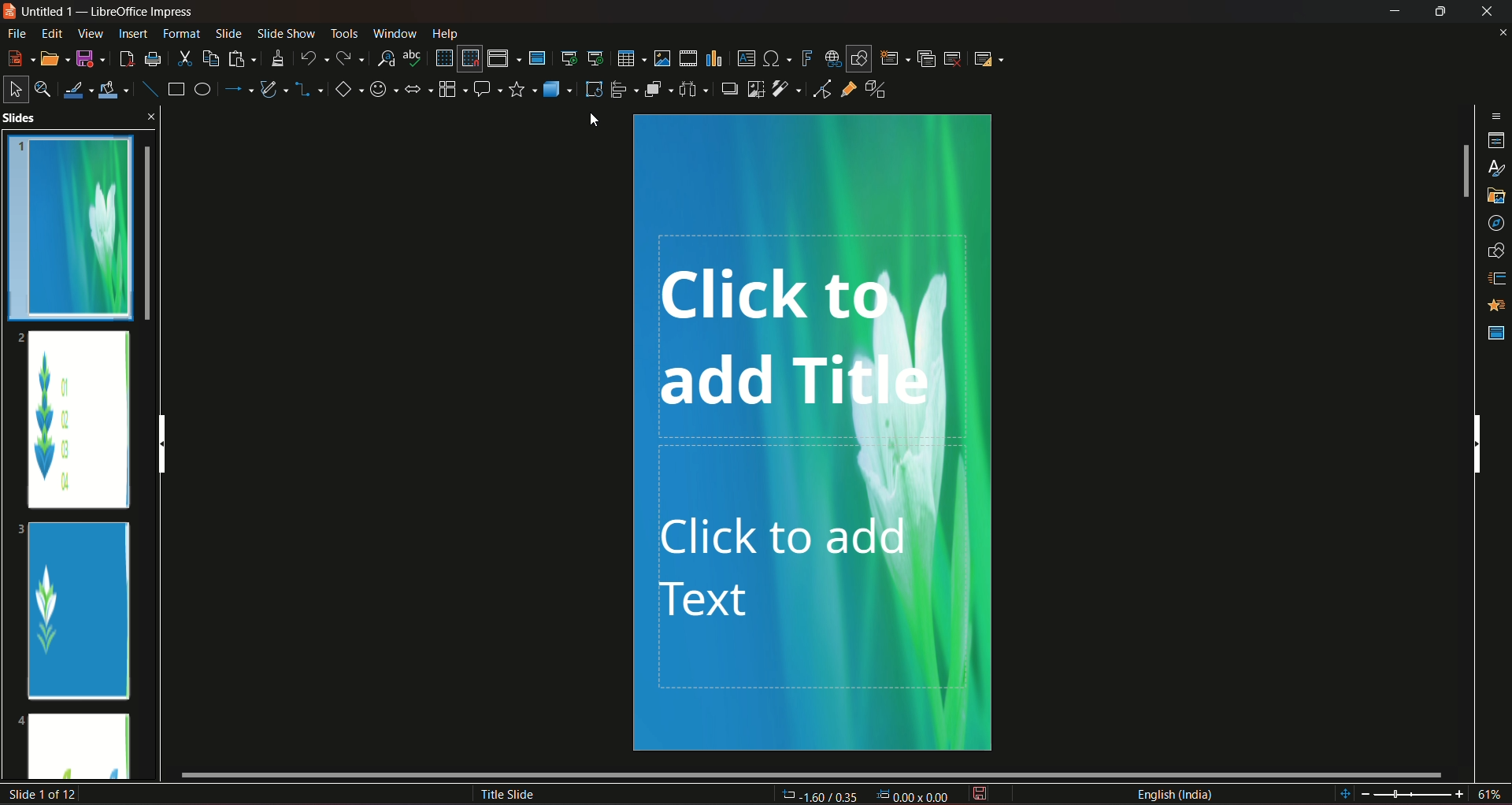 The height and width of the screenshot is (805, 1512). What do you see at coordinates (202, 89) in the screenshot?
I see `ellipse` at bounding box center [202, 89].